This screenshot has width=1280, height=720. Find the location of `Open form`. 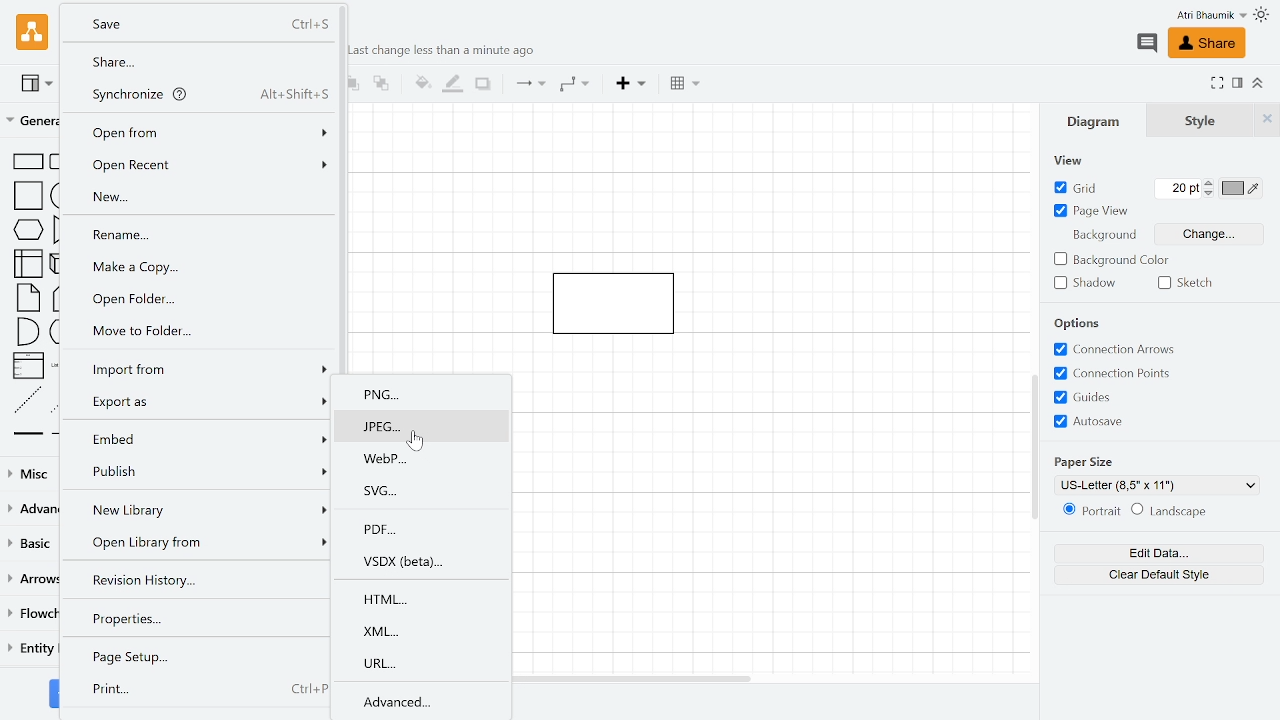

Open form is located at coordinates (203, 131).